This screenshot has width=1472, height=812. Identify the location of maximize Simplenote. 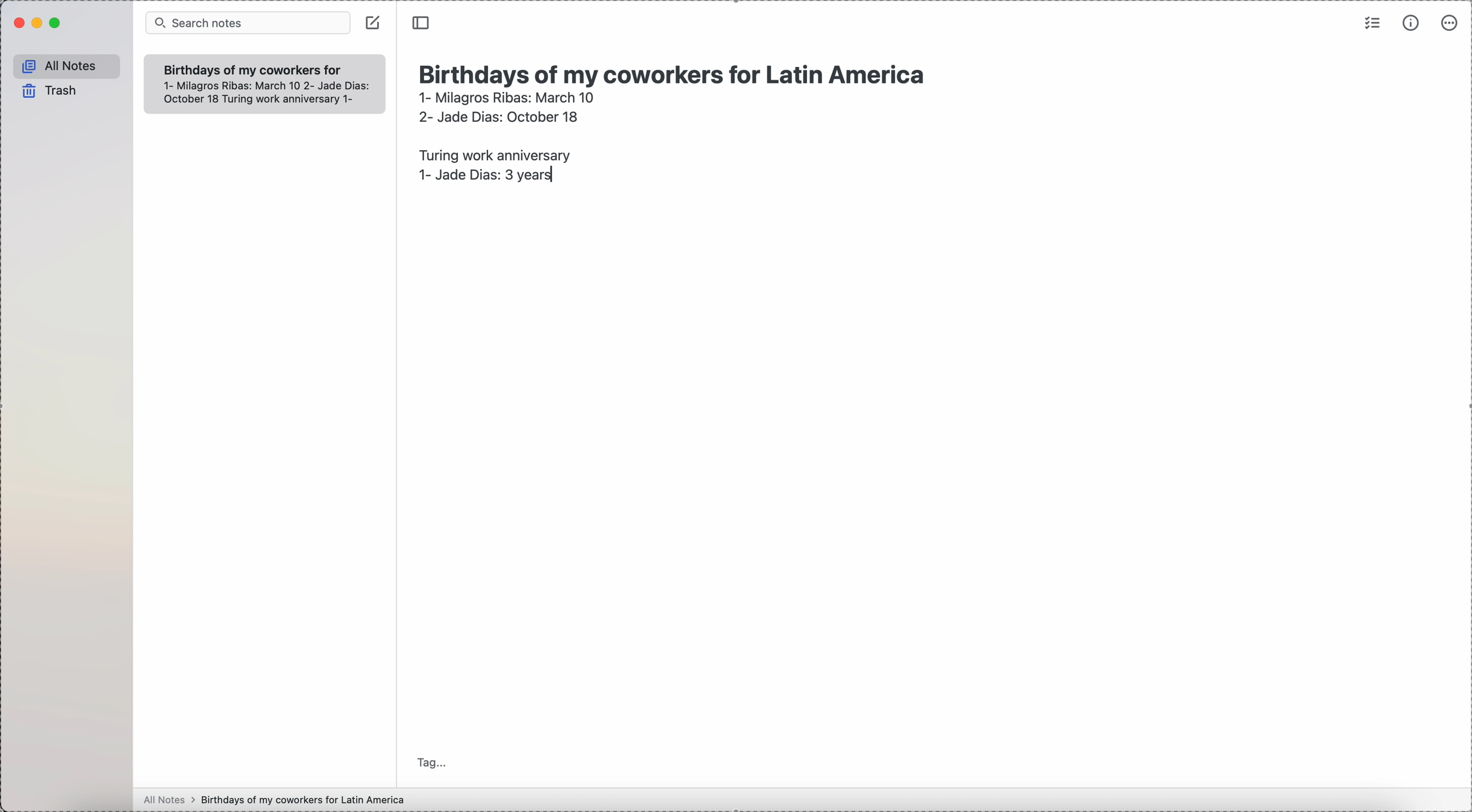
(56, 23).